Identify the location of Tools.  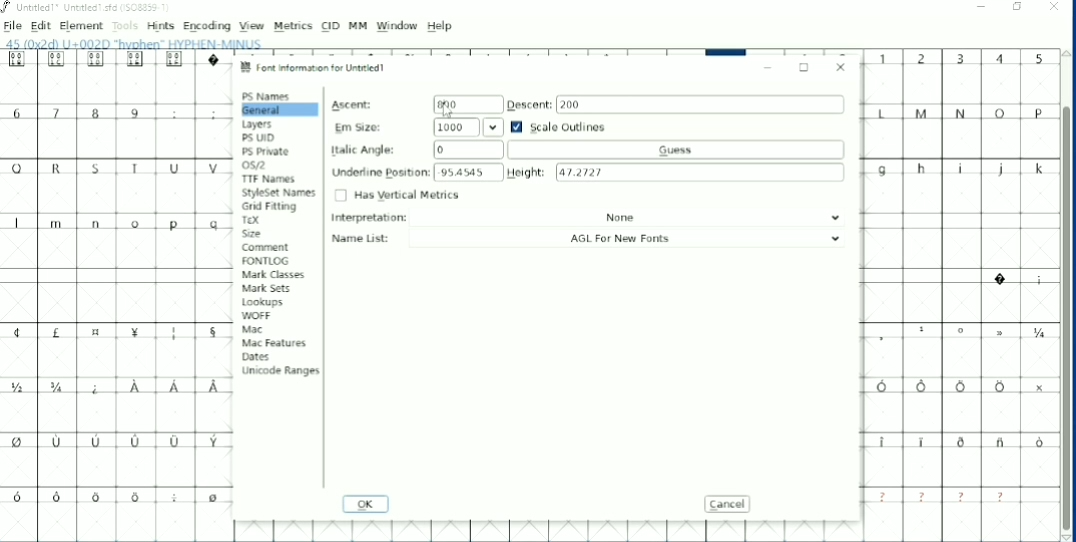
(125, 27).